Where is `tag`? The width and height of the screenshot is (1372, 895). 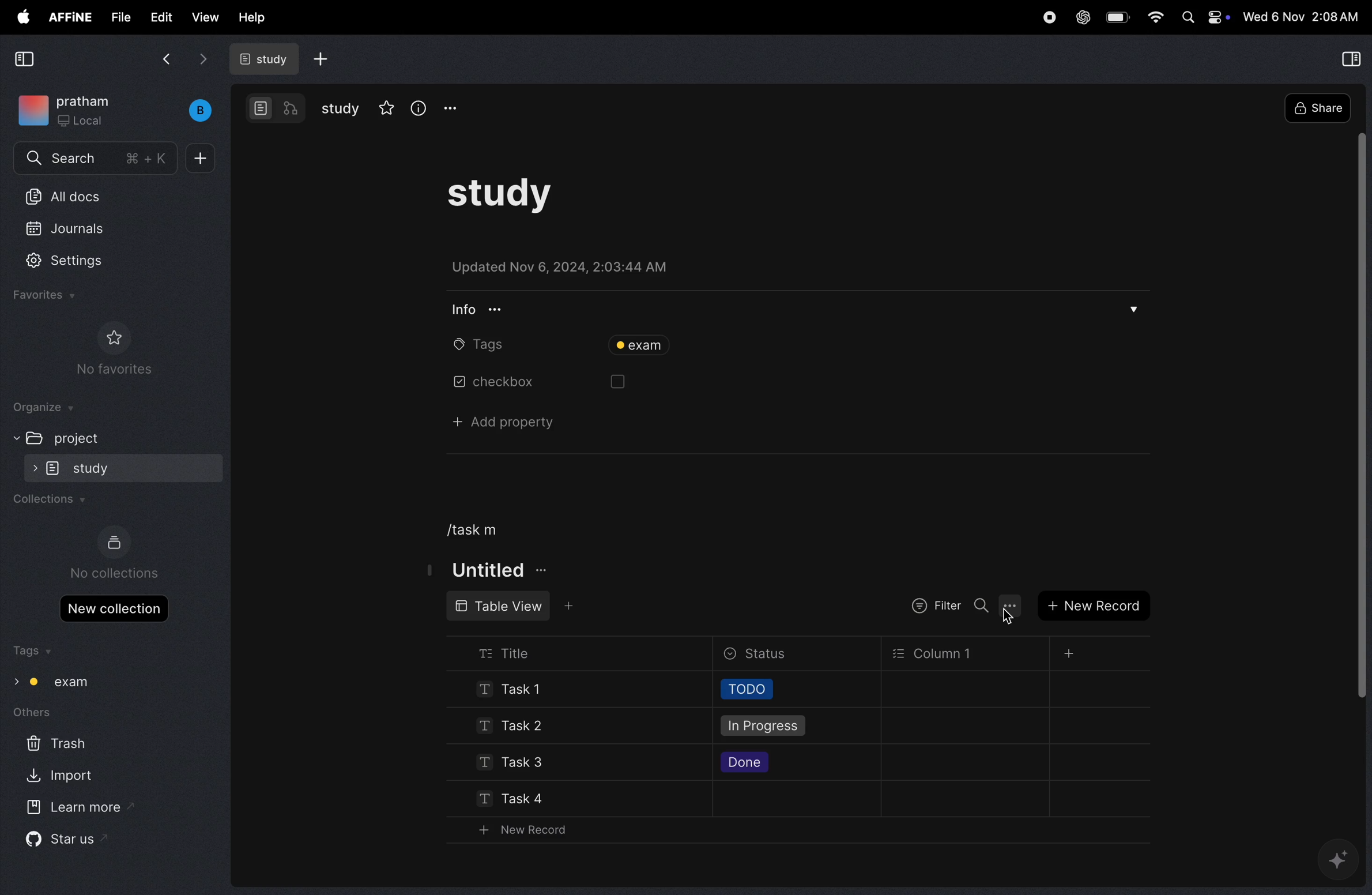 tag is located at coordinates (645, 347).